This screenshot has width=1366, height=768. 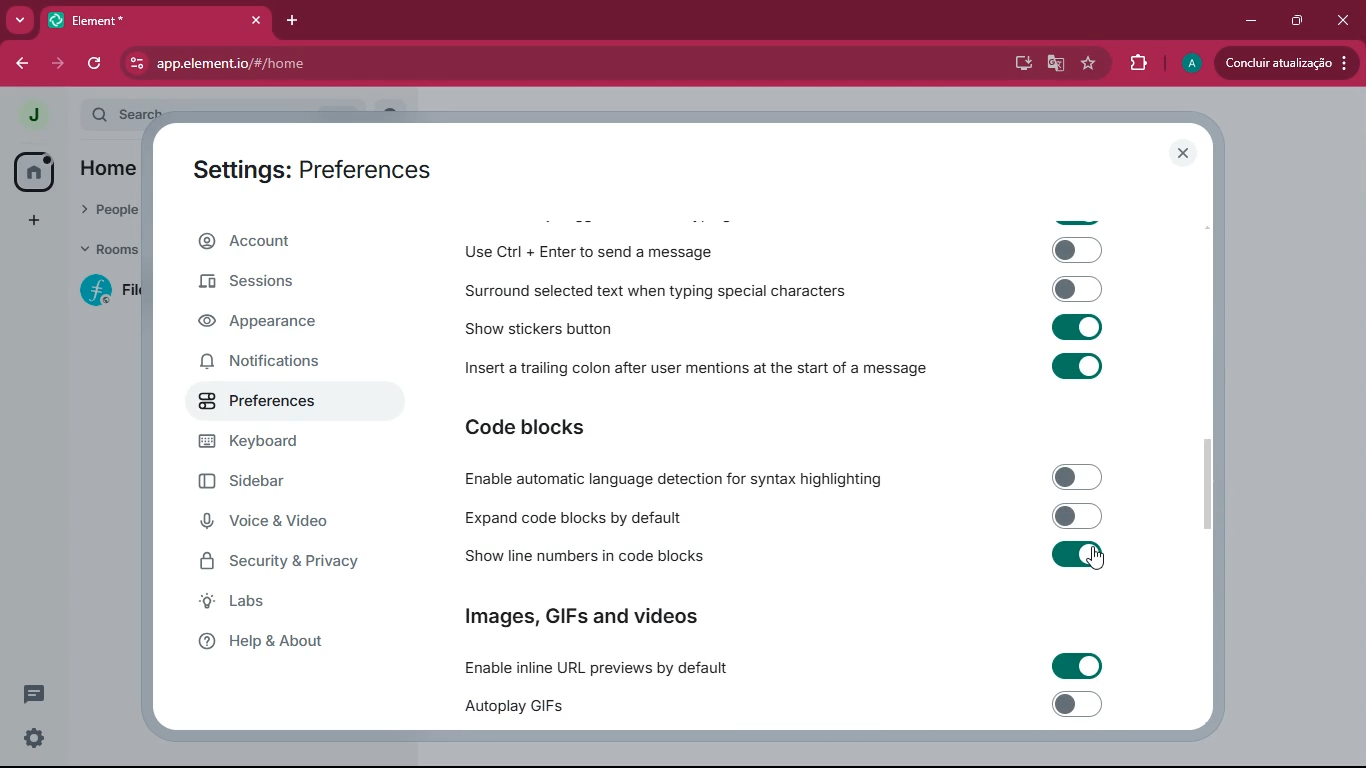 What do you see at coordinates (539, 429) in the screenshot?
I see `code blocks ` at bounding box center [539, 429].